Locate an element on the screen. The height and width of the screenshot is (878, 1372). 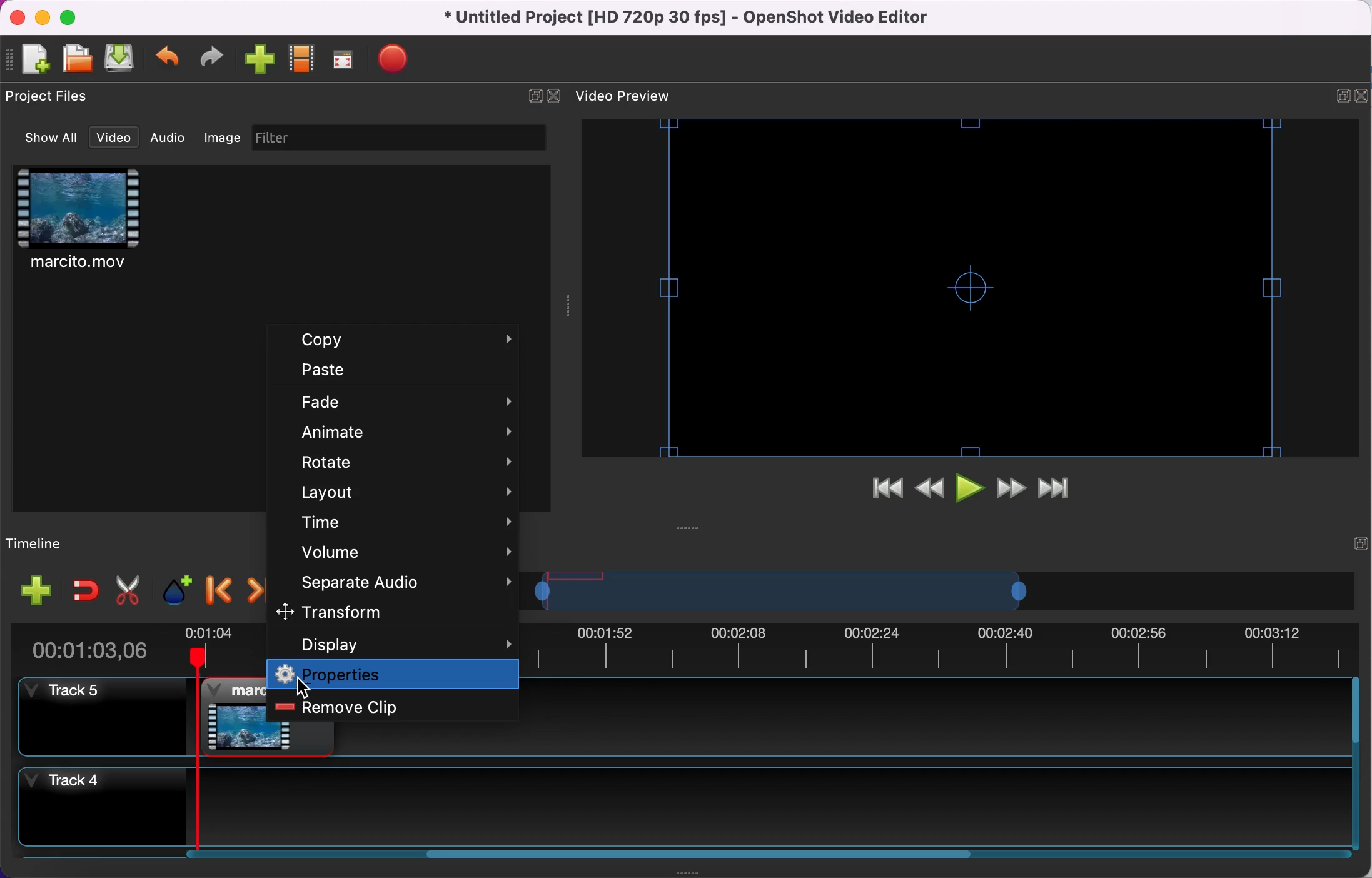
time is located at coordinates (399, 523).